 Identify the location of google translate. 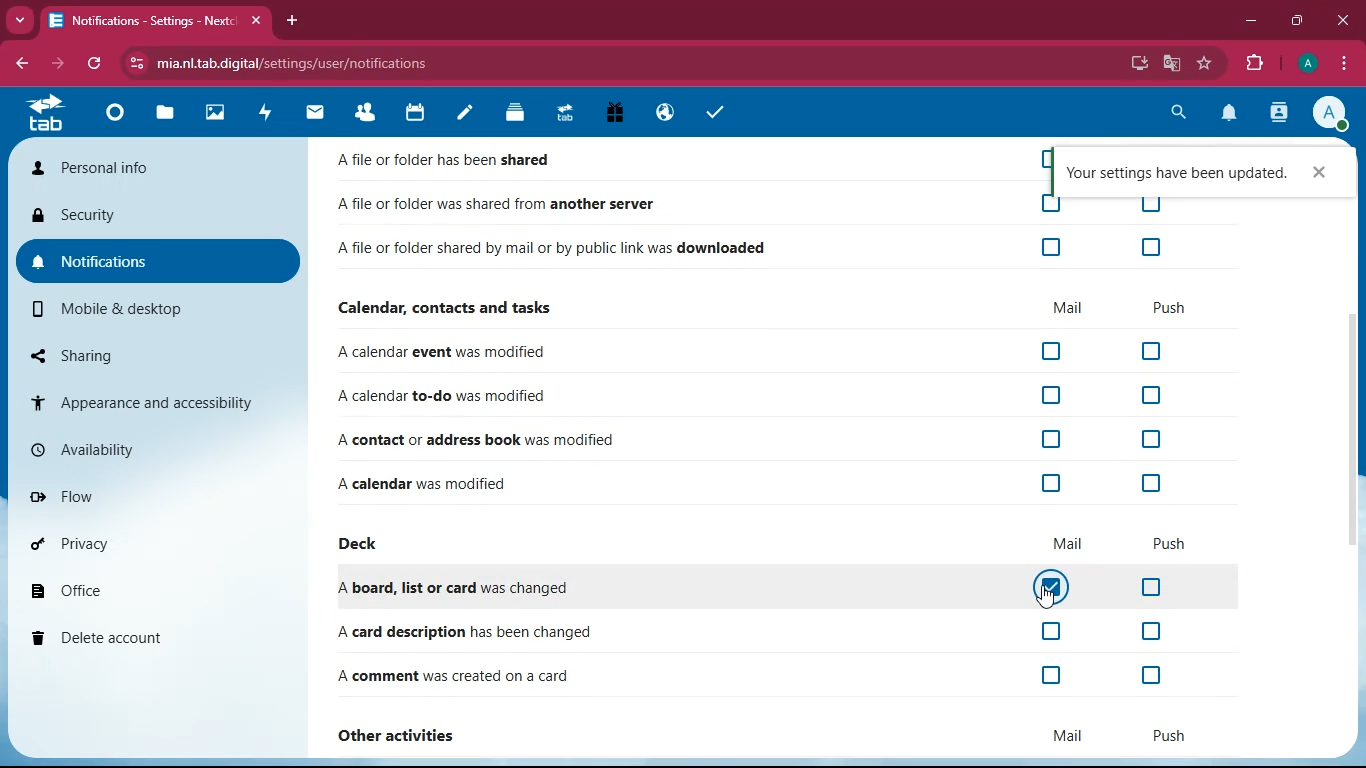
(1170, 64).